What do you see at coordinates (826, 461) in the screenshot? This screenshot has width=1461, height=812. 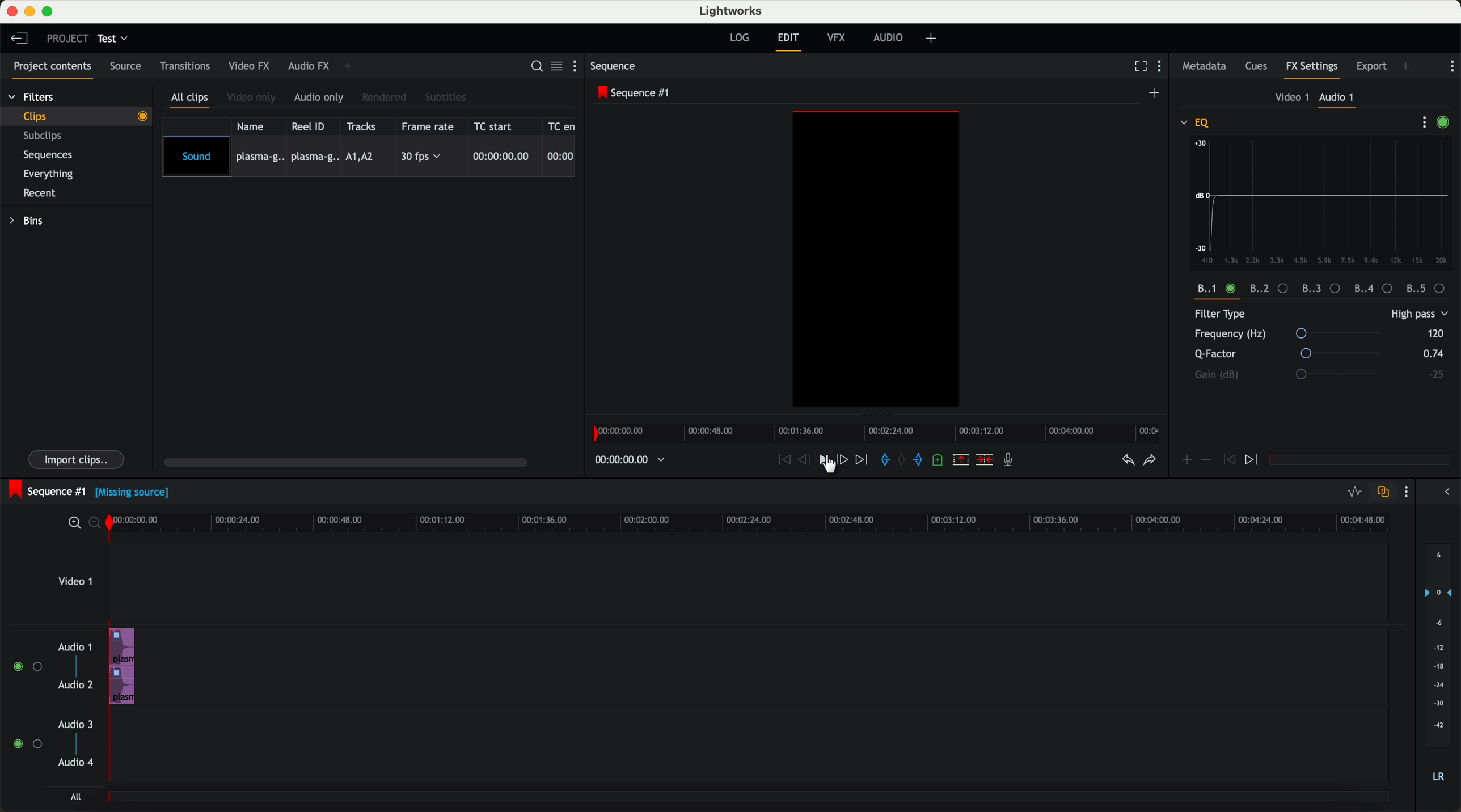 I see `play` at bounding box center [826, 461].